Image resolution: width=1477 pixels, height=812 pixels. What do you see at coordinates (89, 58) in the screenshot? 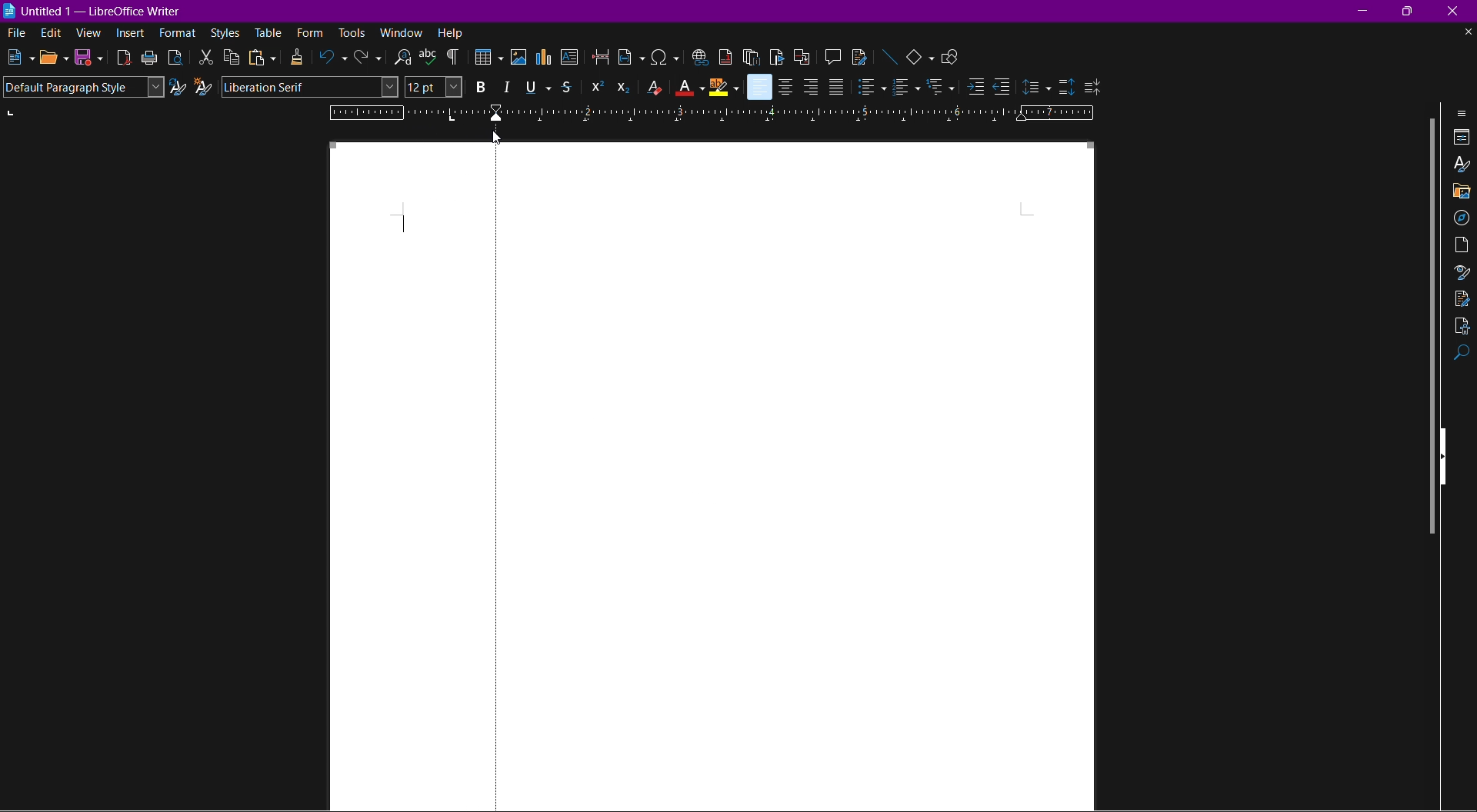
I see `Save` at bounding box center [89, 58].